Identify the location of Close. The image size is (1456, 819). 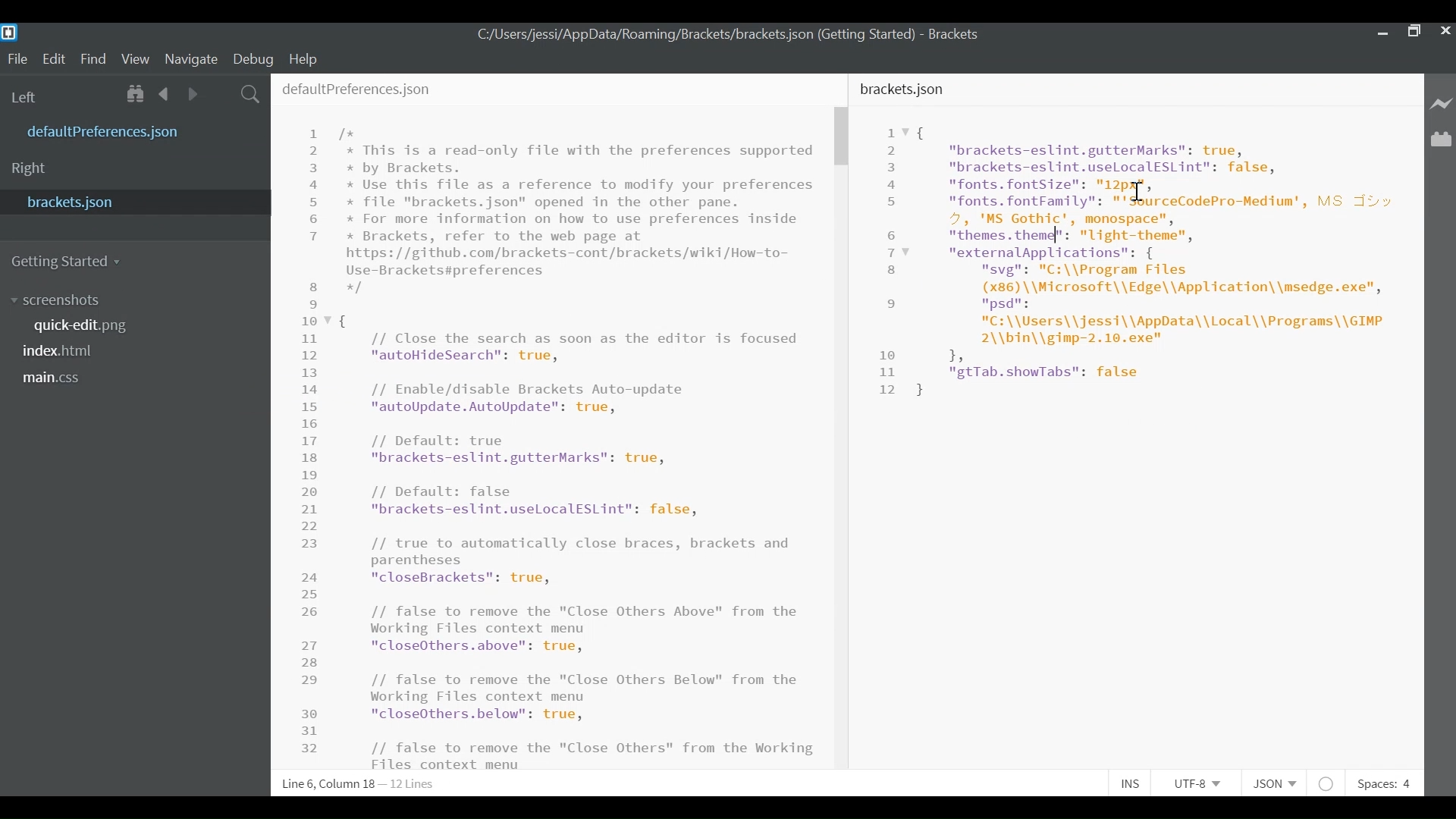
(1446, 33).